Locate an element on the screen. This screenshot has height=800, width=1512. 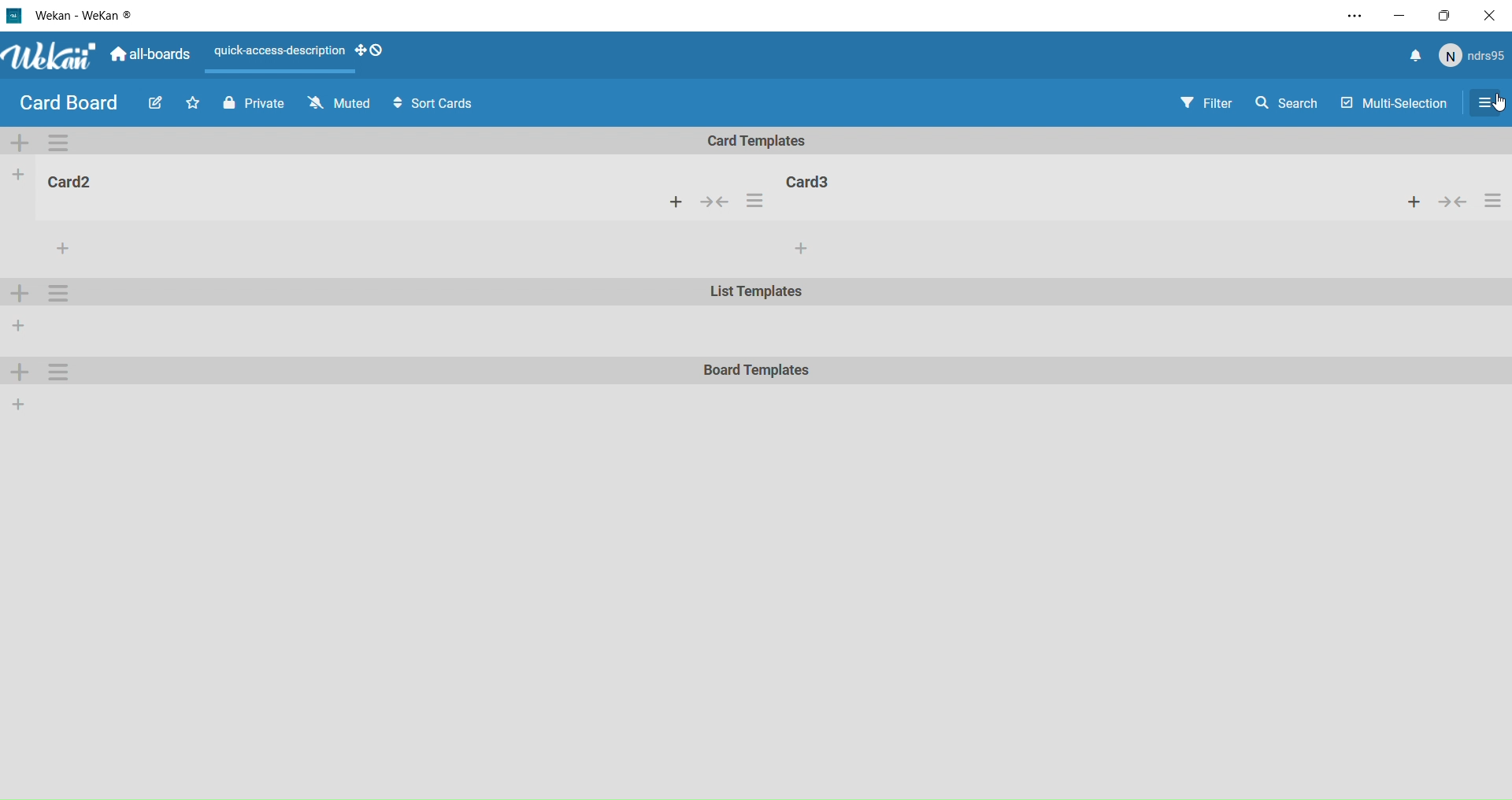
quick access description is located at coordinates (275, 54).